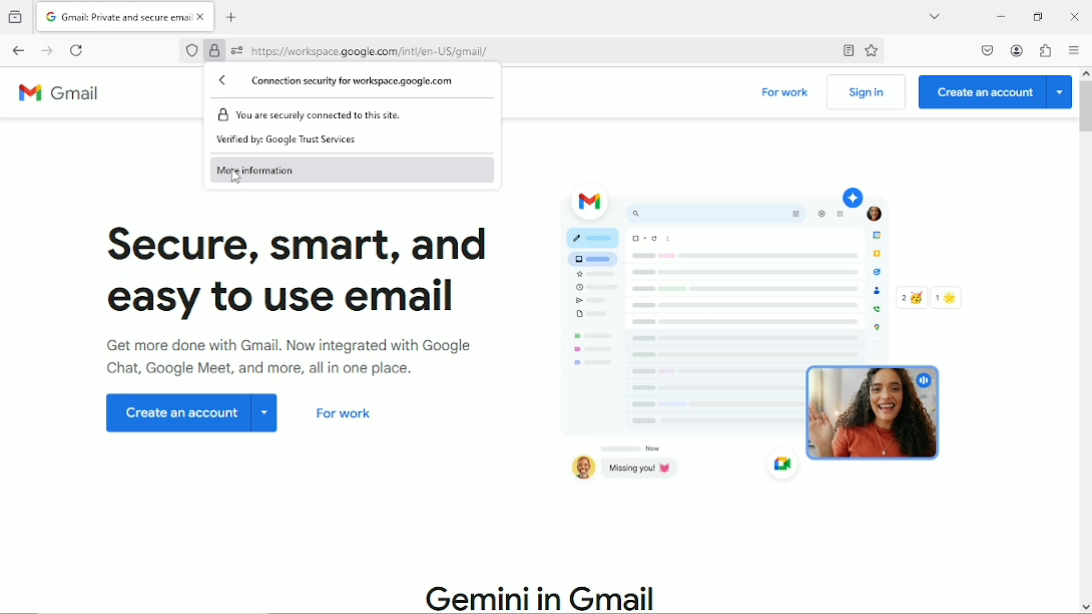 This screenshot has height=614, width=1092. Describe the element at coordinates (203, 17) in the screenshot. I see `close currrent tab` at that location.